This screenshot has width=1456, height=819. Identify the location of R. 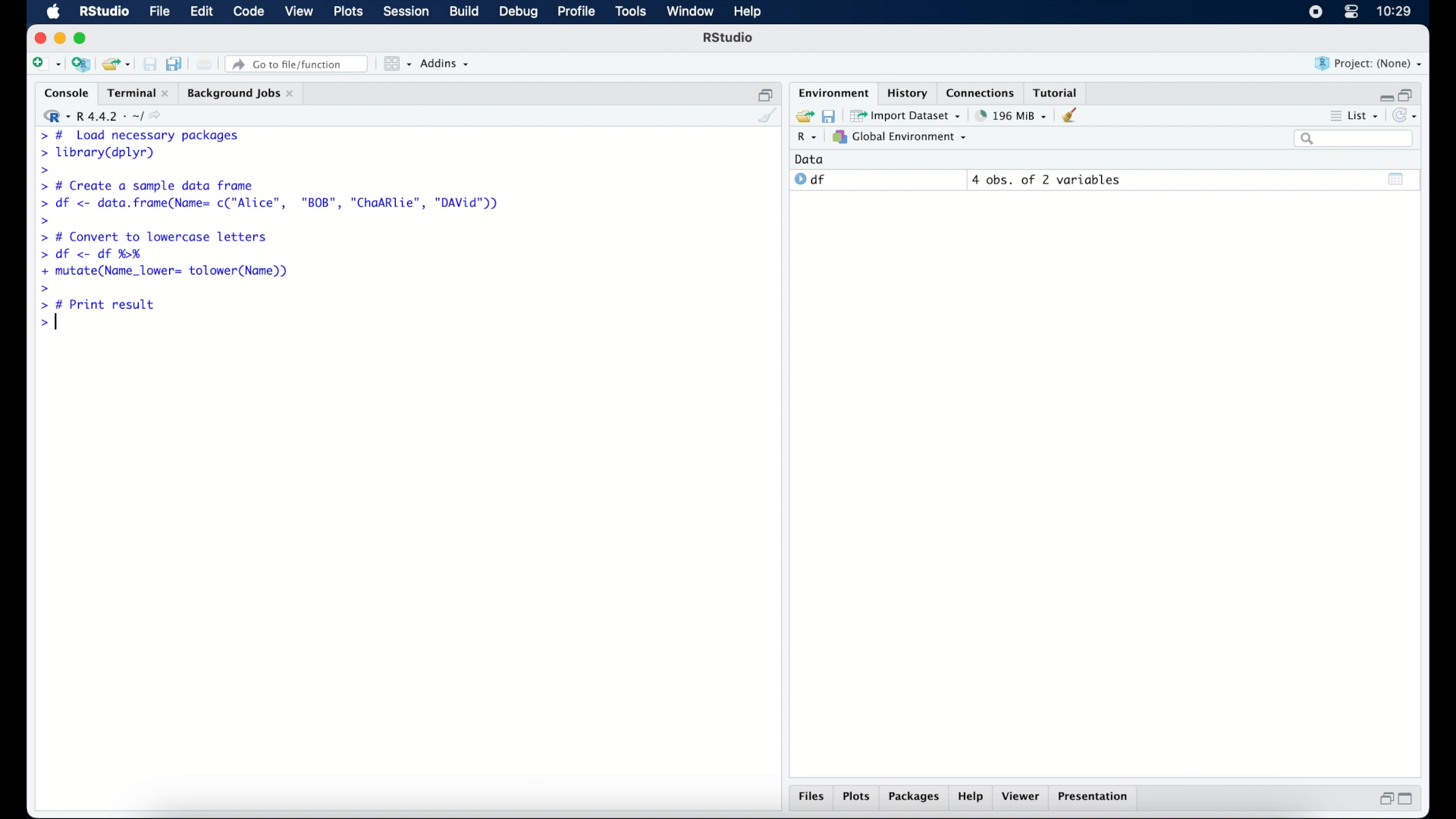
(805, 139).